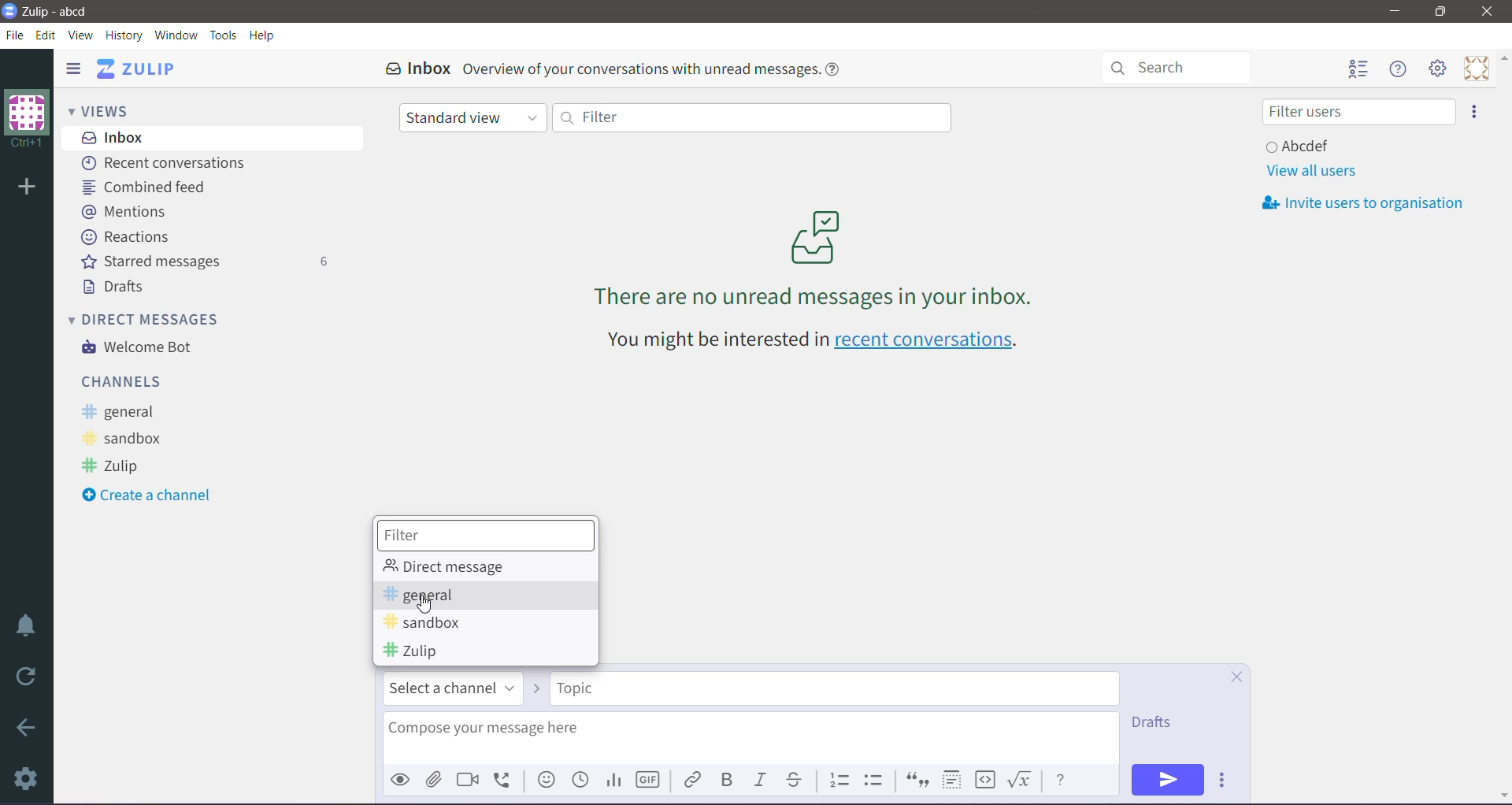 The width and height of the screenshot is (1512, 805). Describe the element at coordinates (154, 318) in the screenshot. I see `Direct Messages` at that location.